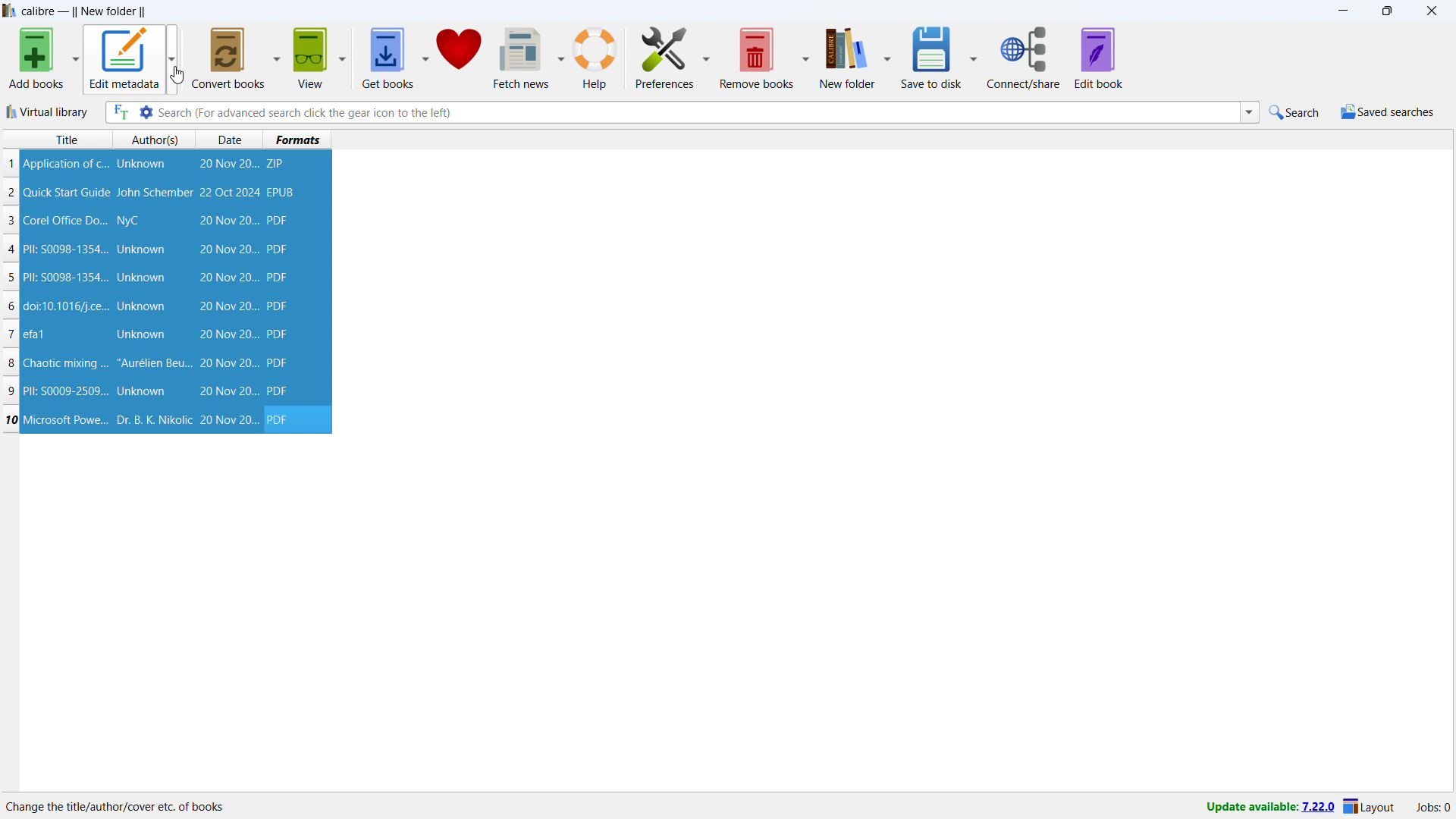 This screenshot has height=819, width=1456. I want to click on Corel Office Do..., so click(66, 220).